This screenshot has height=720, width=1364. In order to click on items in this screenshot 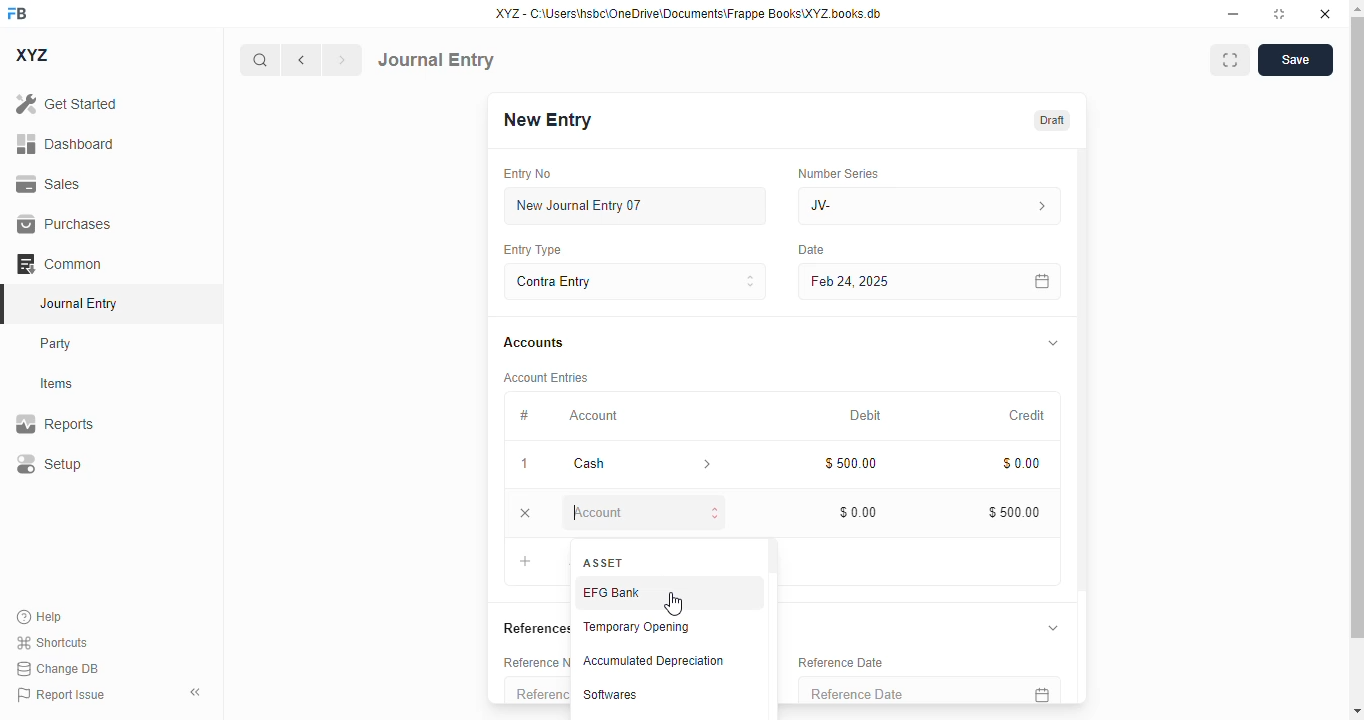, I will do `click(57, 384)`.